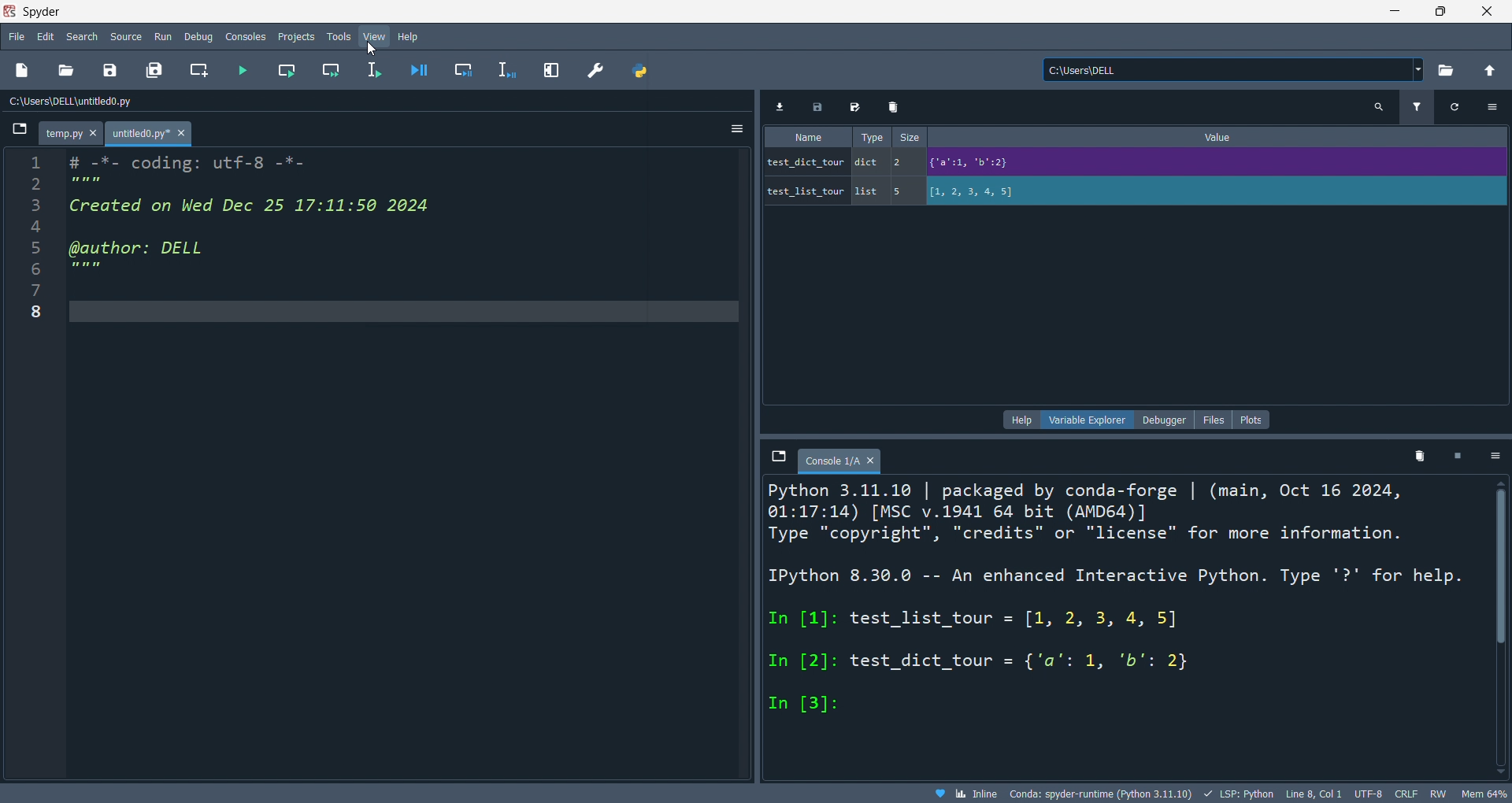  I want to click on scroll bar, so click(1496, 624).